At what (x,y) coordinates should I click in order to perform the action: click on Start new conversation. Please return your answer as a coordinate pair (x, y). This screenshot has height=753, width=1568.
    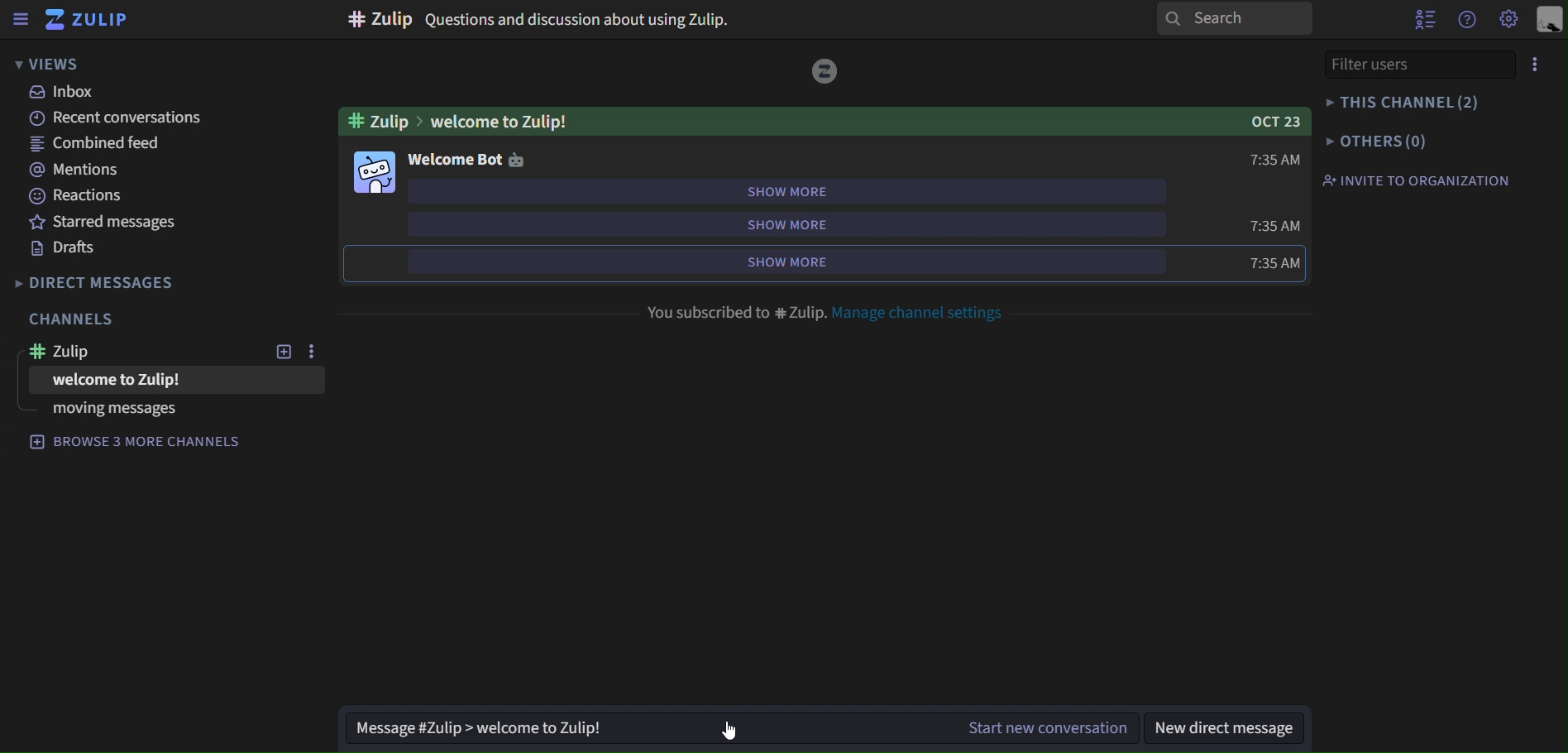
    Looking at the image, I should click on (1044, 728).